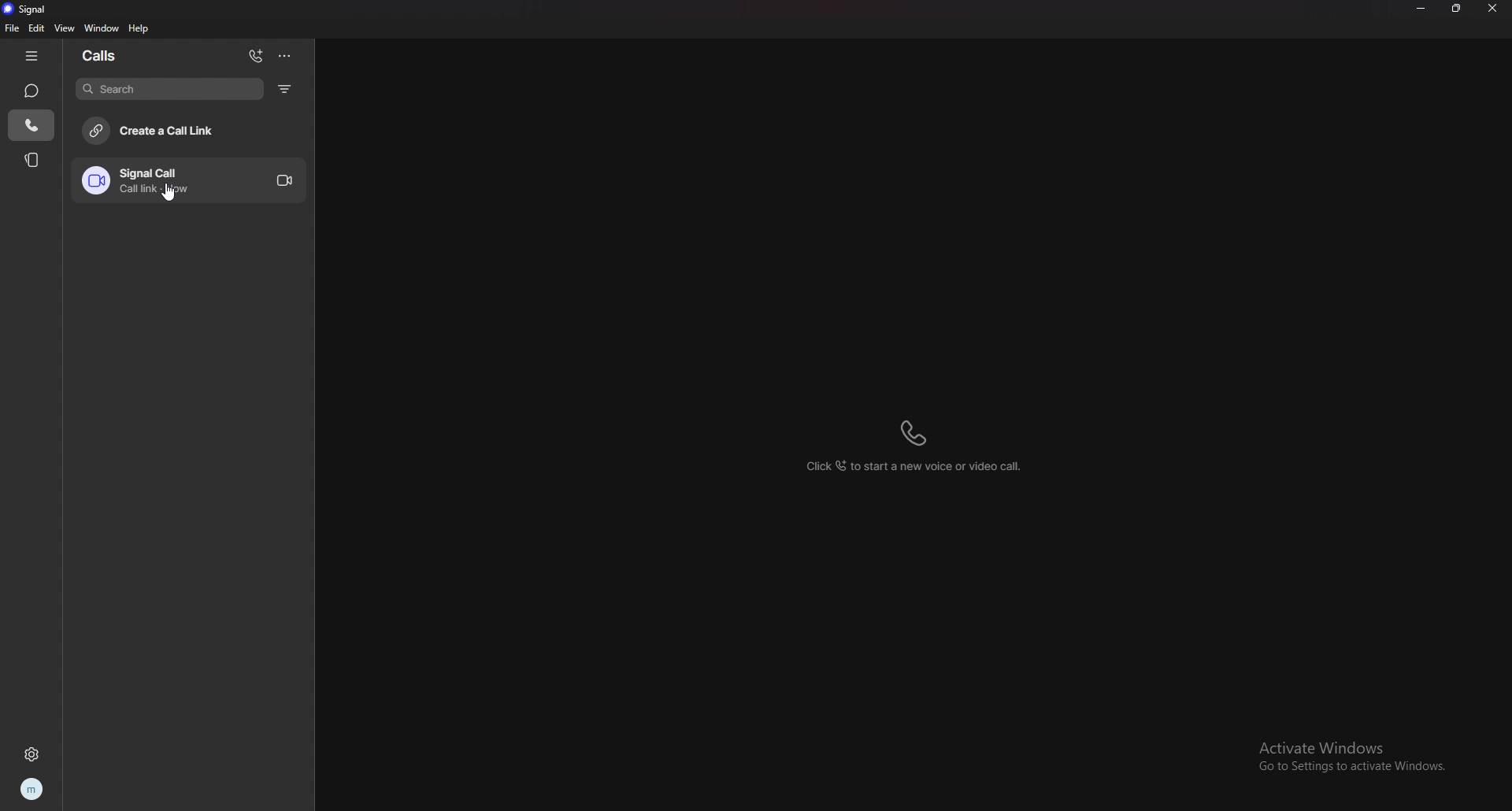 The image size is (1512, 811). What do you see at coordinates (288, 88) in the screenshot?
I see `filter` at bounding box center [288, 88].